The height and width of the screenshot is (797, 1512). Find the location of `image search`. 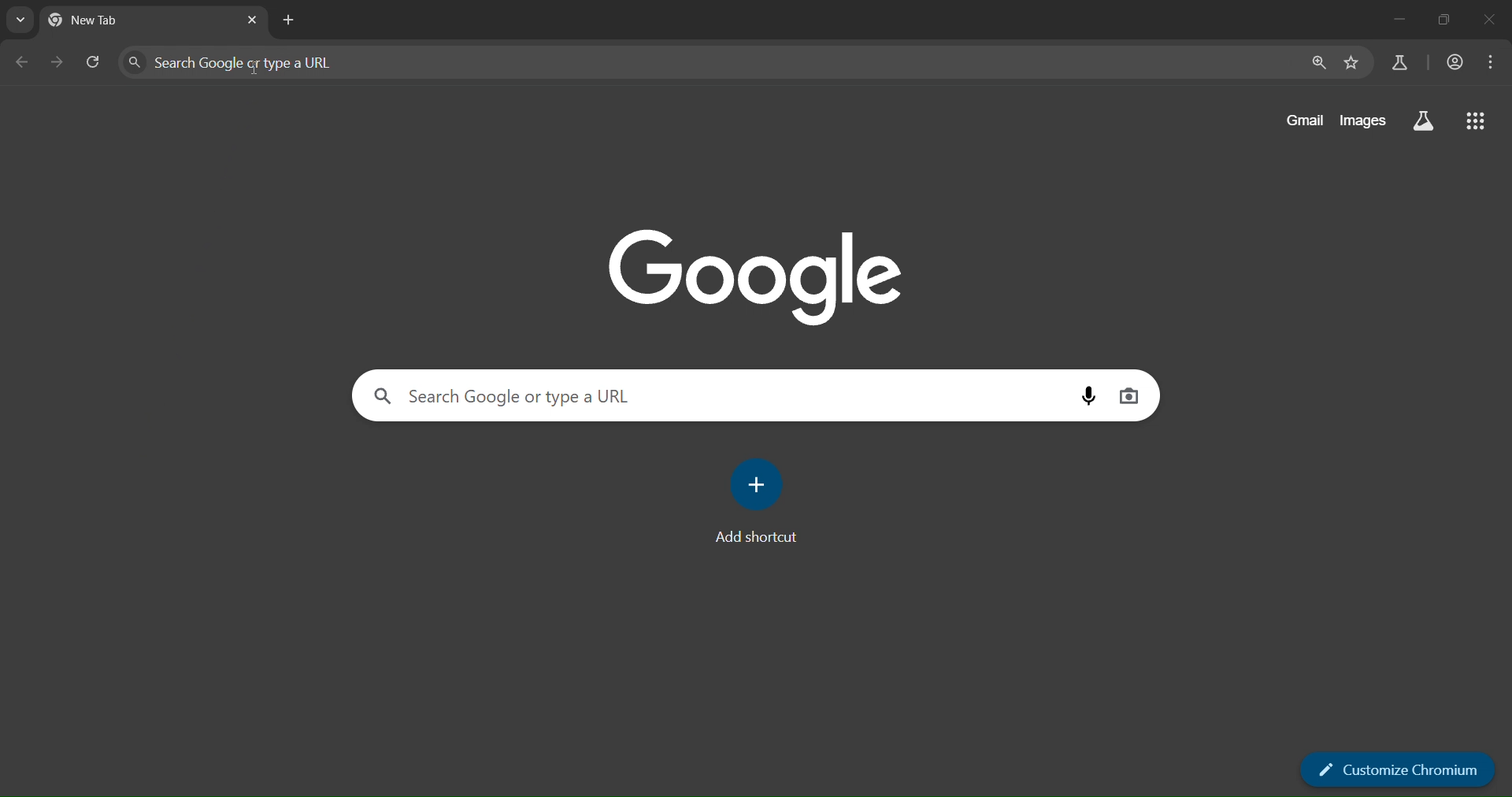

image search is located at coordinates (1132, 396).